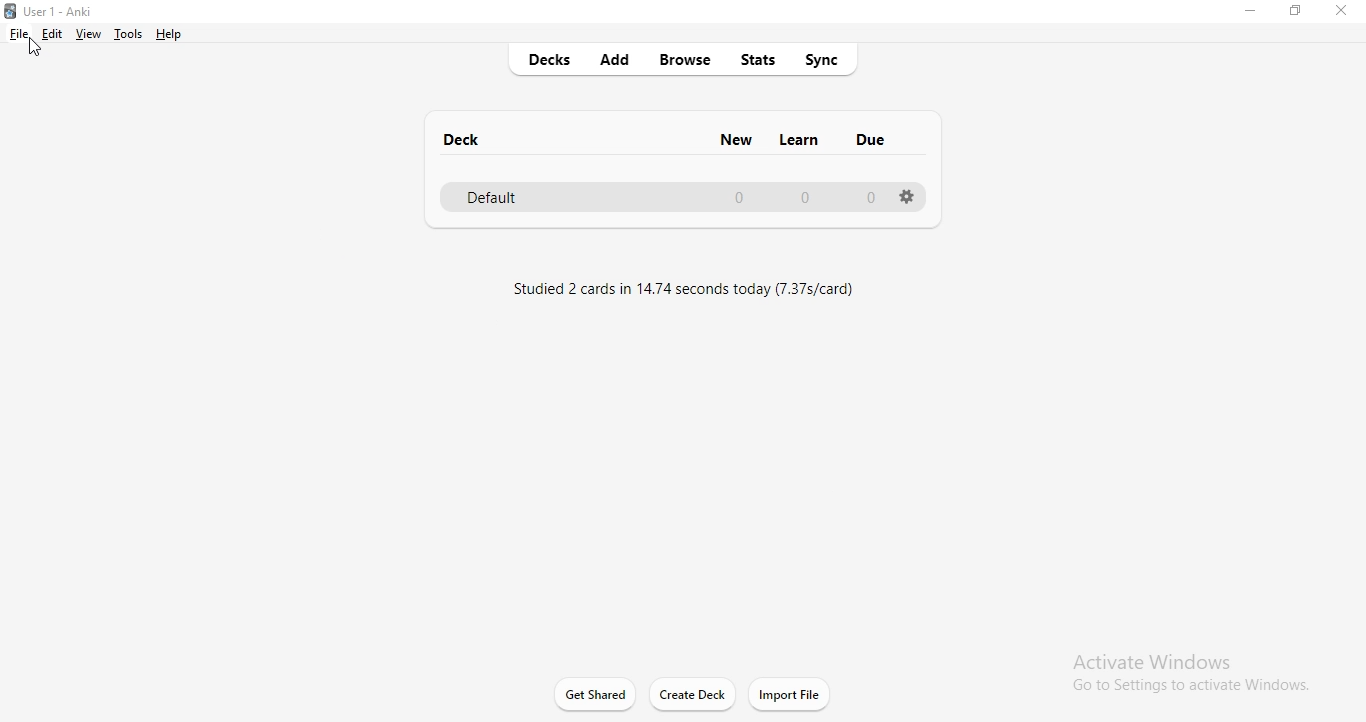  I want to click on edit, so click(53, 34).